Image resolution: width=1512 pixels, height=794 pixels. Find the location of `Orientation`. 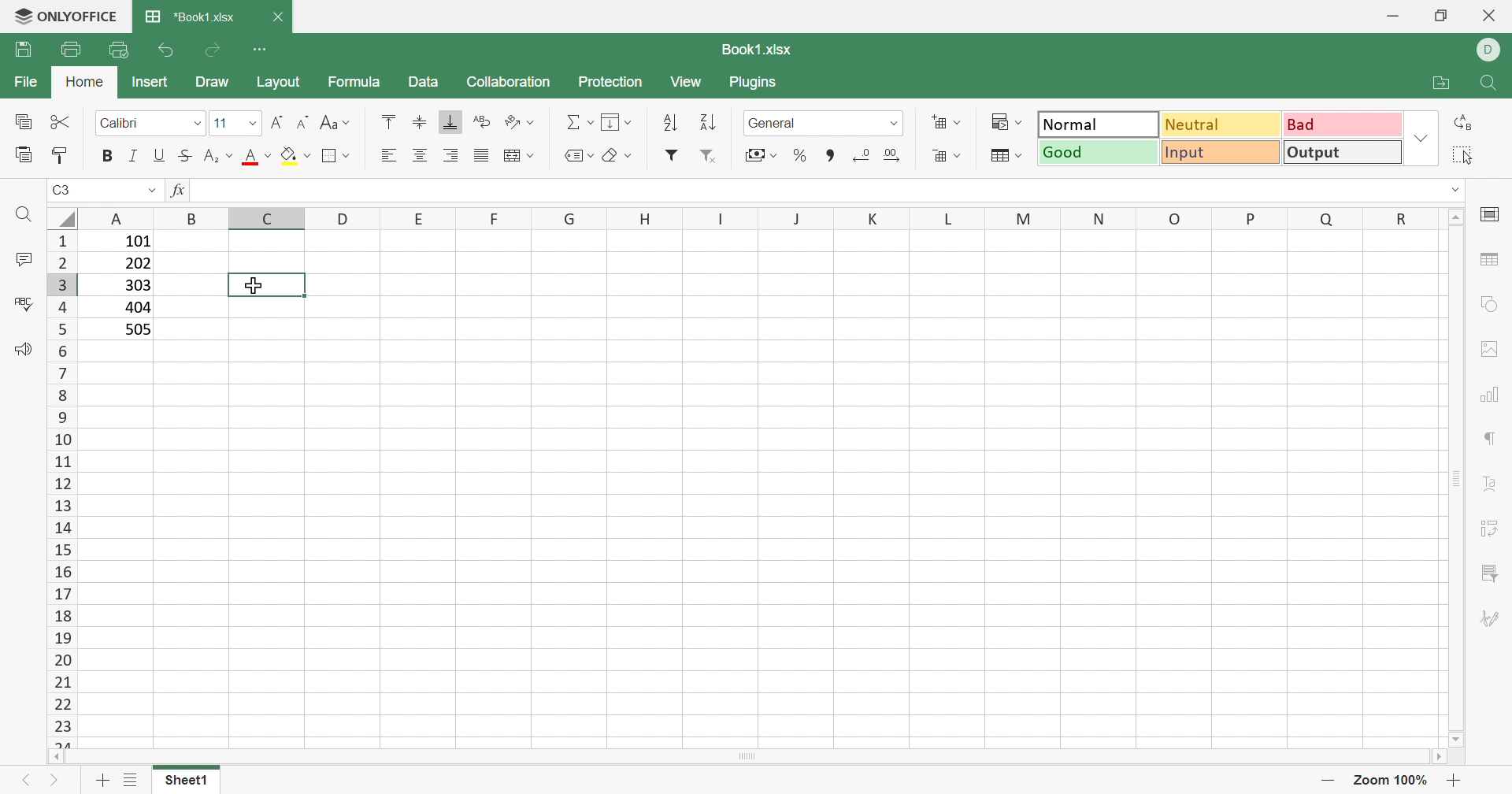

Orientation is located at coordinates (521, 121).